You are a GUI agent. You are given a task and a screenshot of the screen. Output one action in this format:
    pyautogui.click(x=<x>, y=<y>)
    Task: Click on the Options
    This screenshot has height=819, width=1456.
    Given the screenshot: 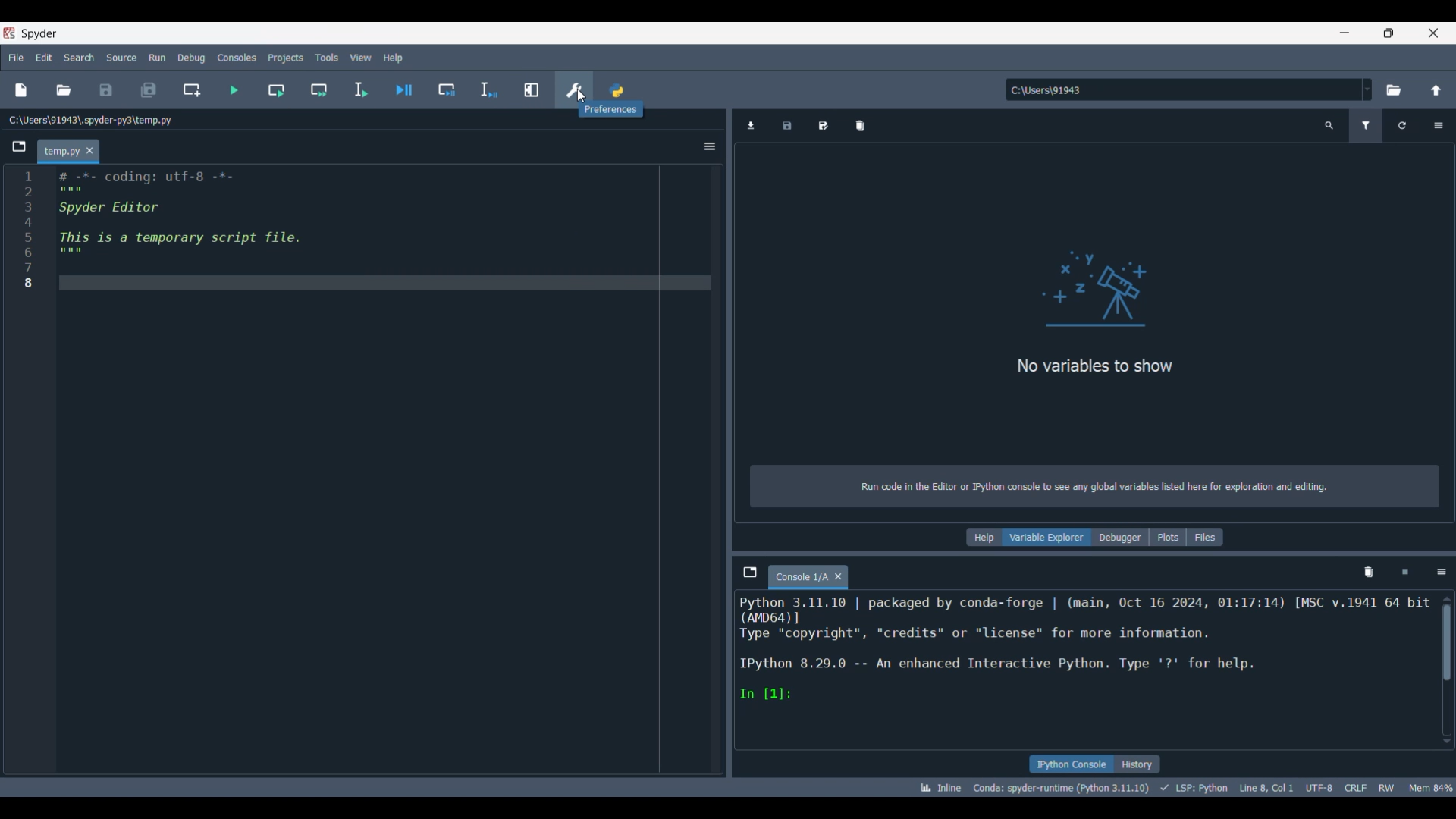 What is the action you would take?
    pyautogui.click(x=1441, y=573)
    